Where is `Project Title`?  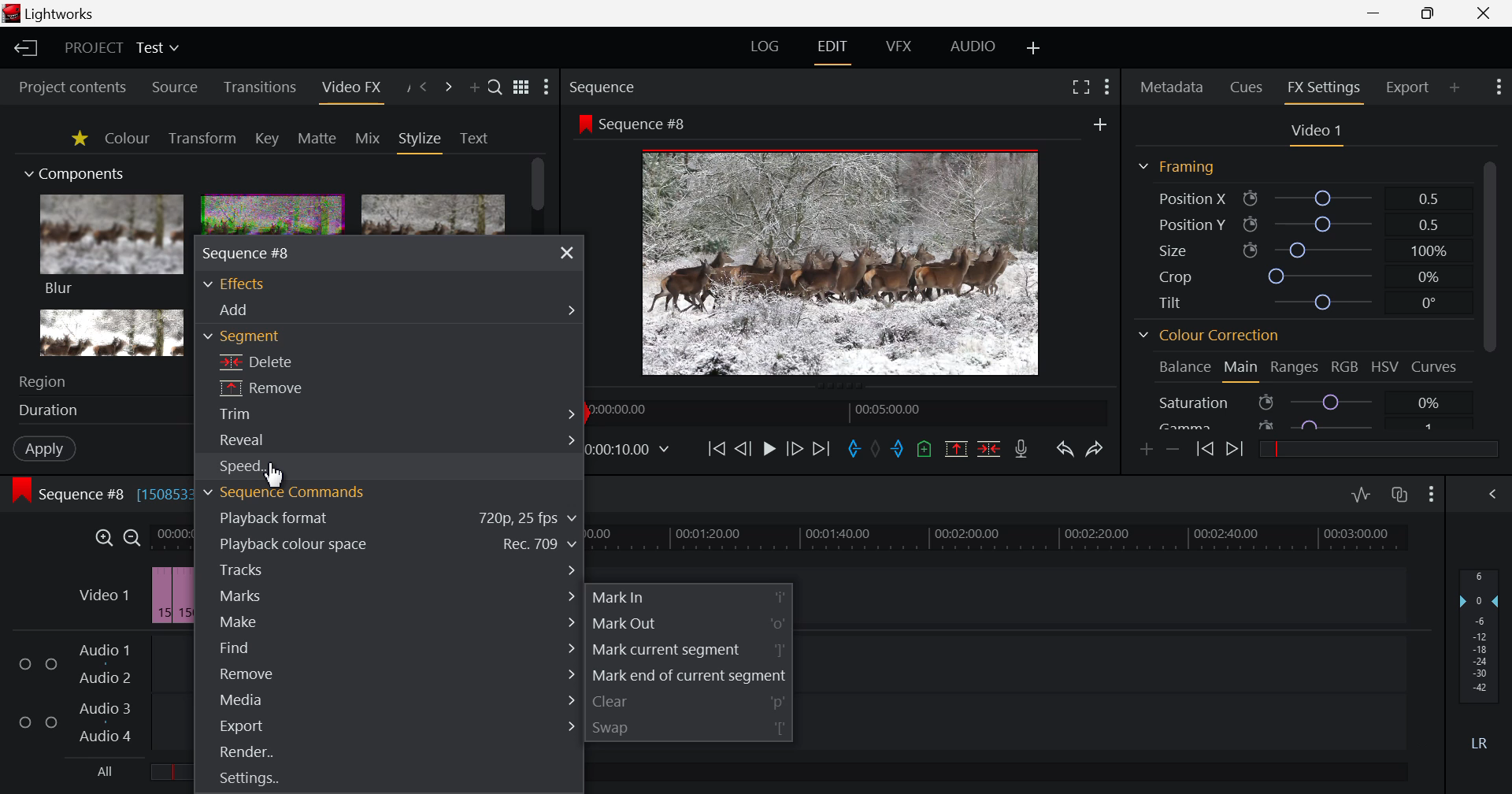
Project Title is located at coordinates (124, 47).